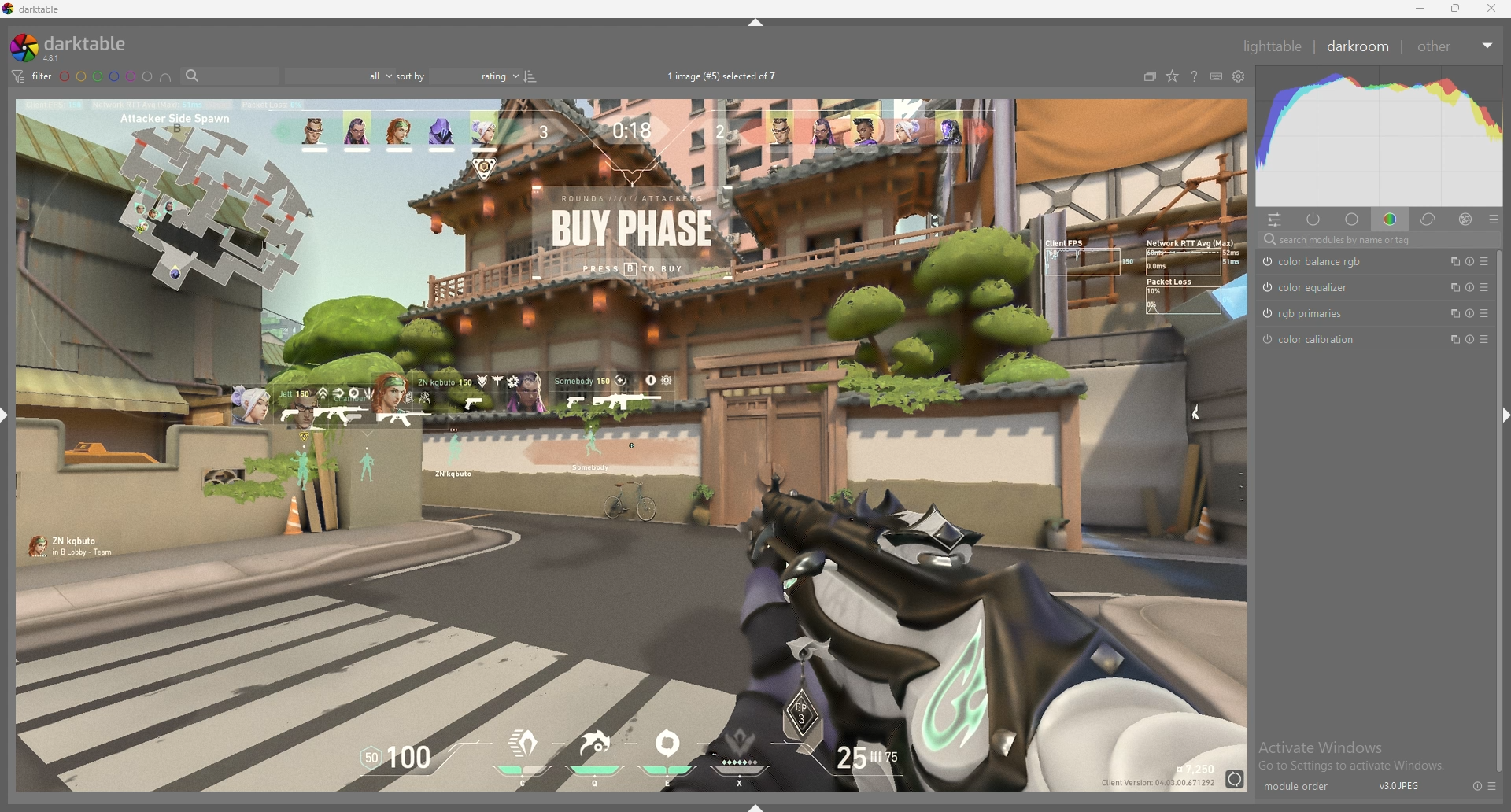  Describe the element at coordinates (1400, 785) in the screenshot. I see `version` at that location.